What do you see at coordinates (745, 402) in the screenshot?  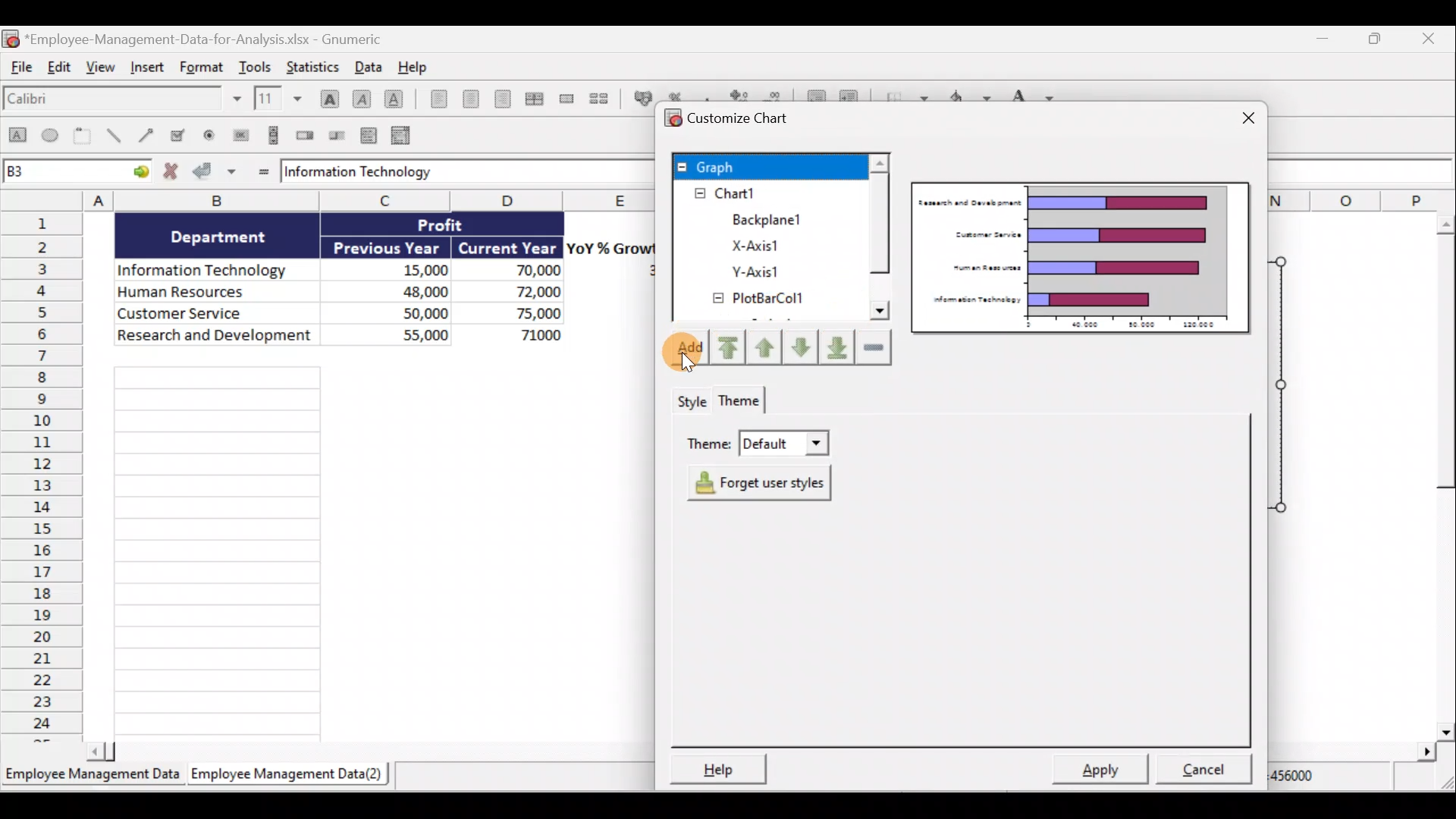 I see `Theme` at bounding box center [745, 402].